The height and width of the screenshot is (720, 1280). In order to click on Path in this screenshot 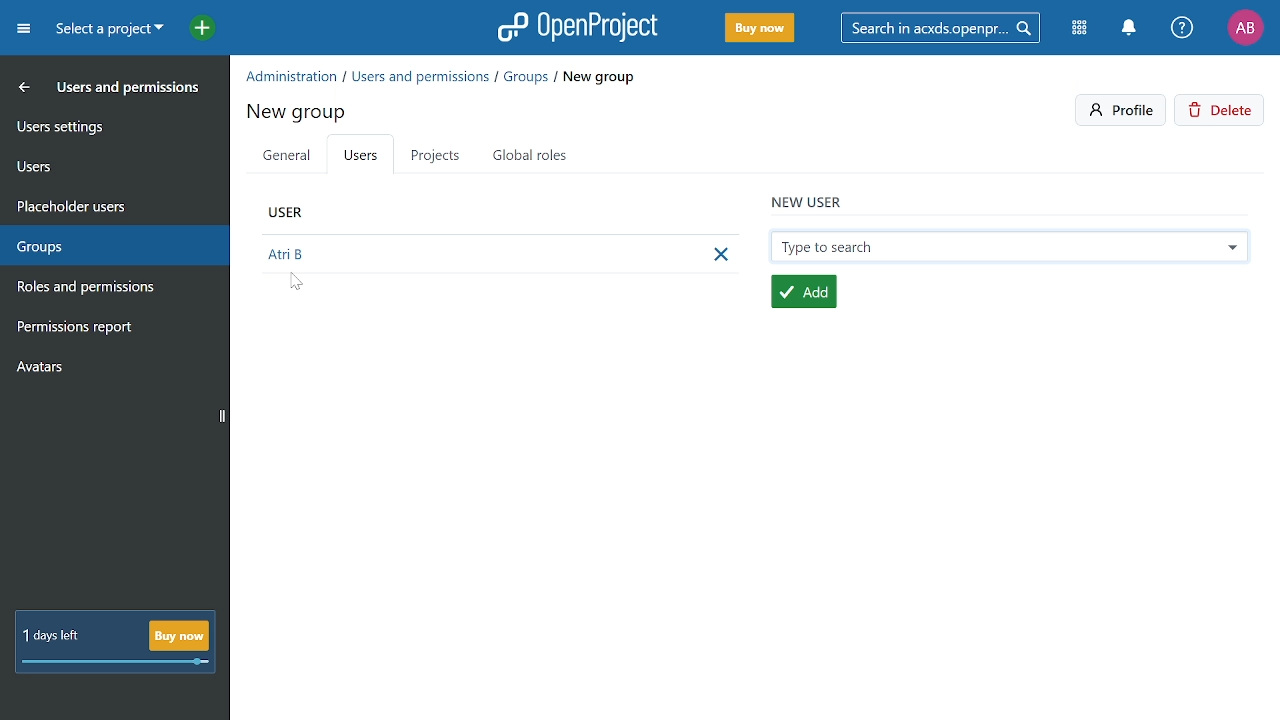, I will do `click(442, 75)`.